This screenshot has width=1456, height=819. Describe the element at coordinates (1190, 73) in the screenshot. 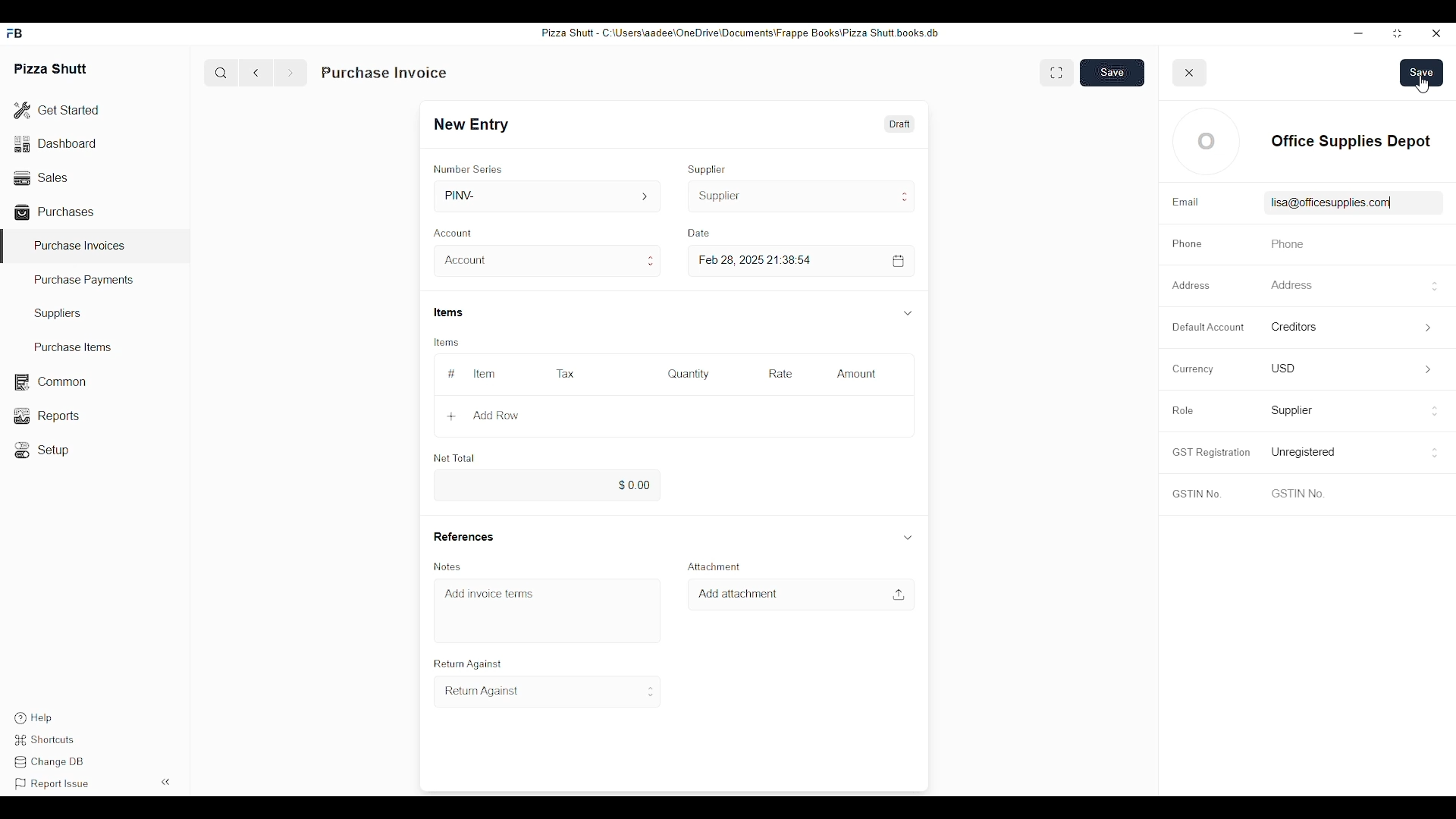

I see `close` at that location.